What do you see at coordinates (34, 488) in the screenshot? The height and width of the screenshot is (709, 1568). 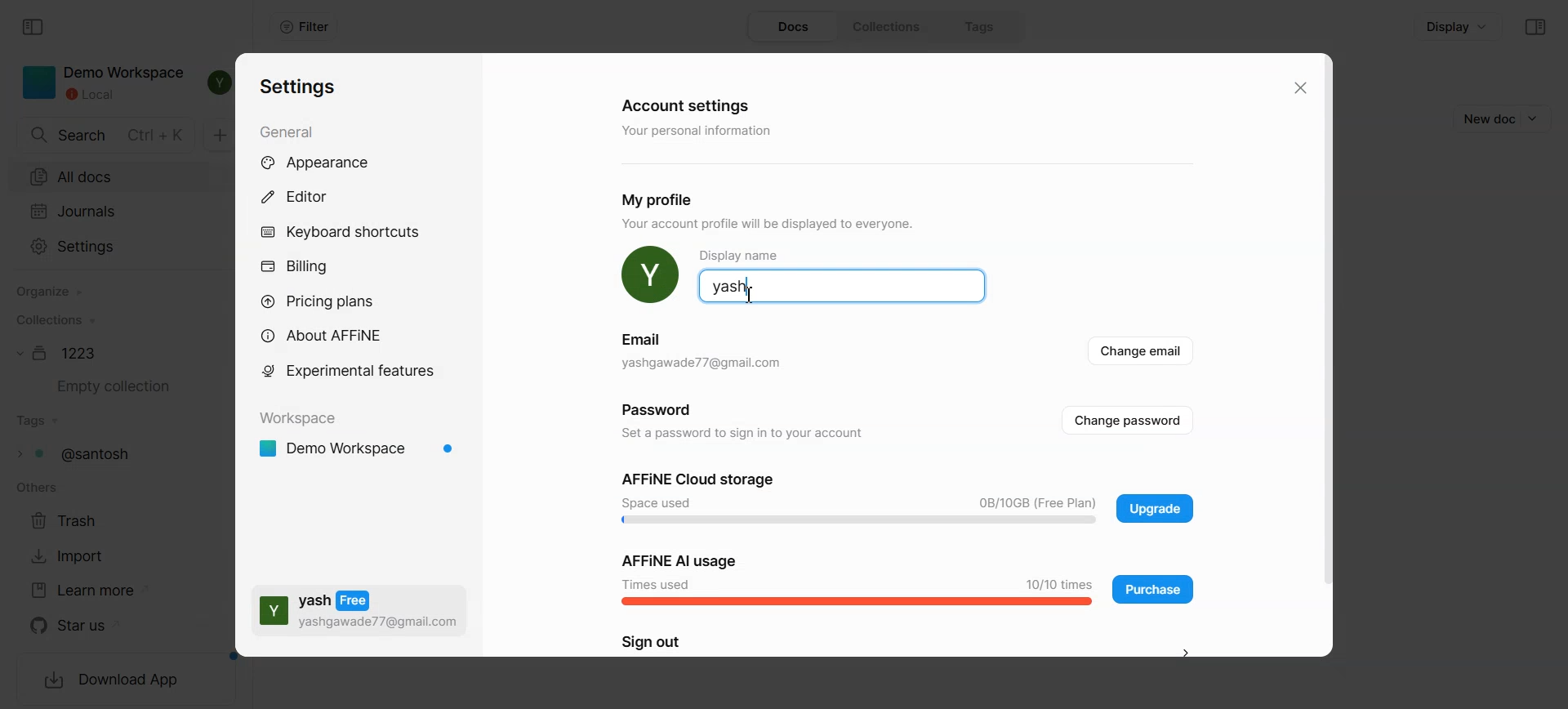 I see `others` at bounding box center [34, 488].